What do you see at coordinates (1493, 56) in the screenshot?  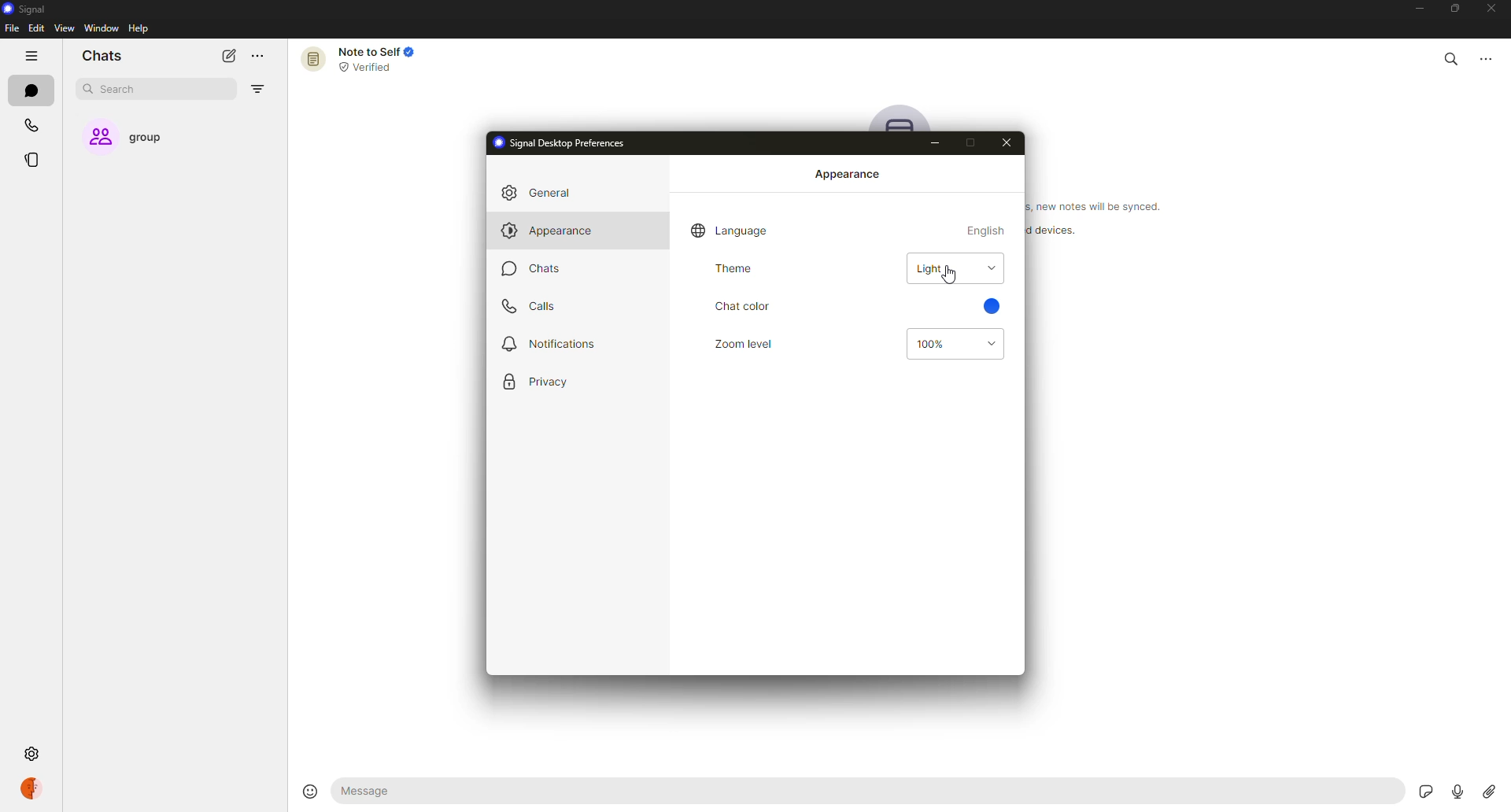 I see `more` at bounding box center [1493, 56].